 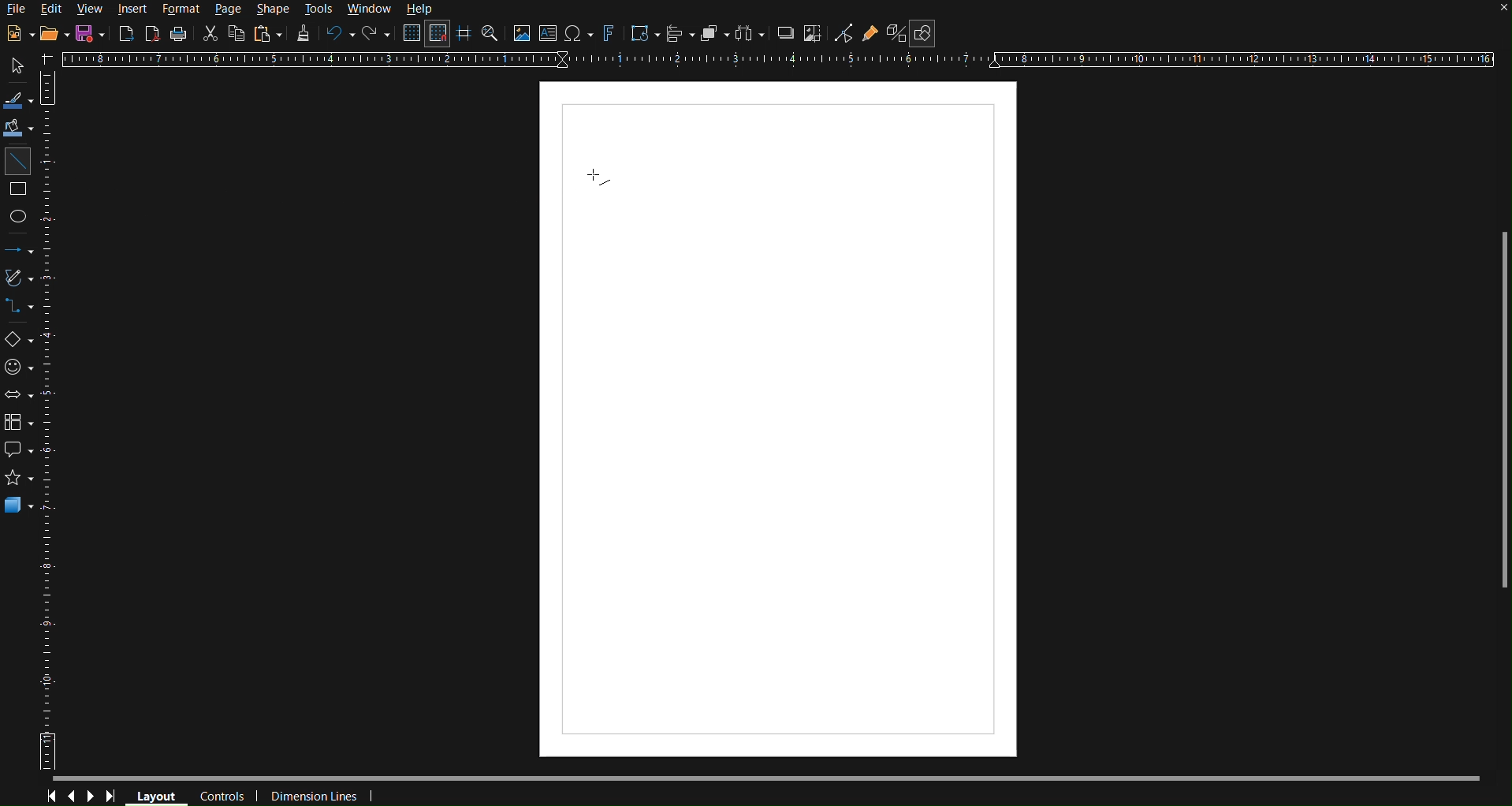 I want to click on Block Arrows, so click(x=20, y=395).